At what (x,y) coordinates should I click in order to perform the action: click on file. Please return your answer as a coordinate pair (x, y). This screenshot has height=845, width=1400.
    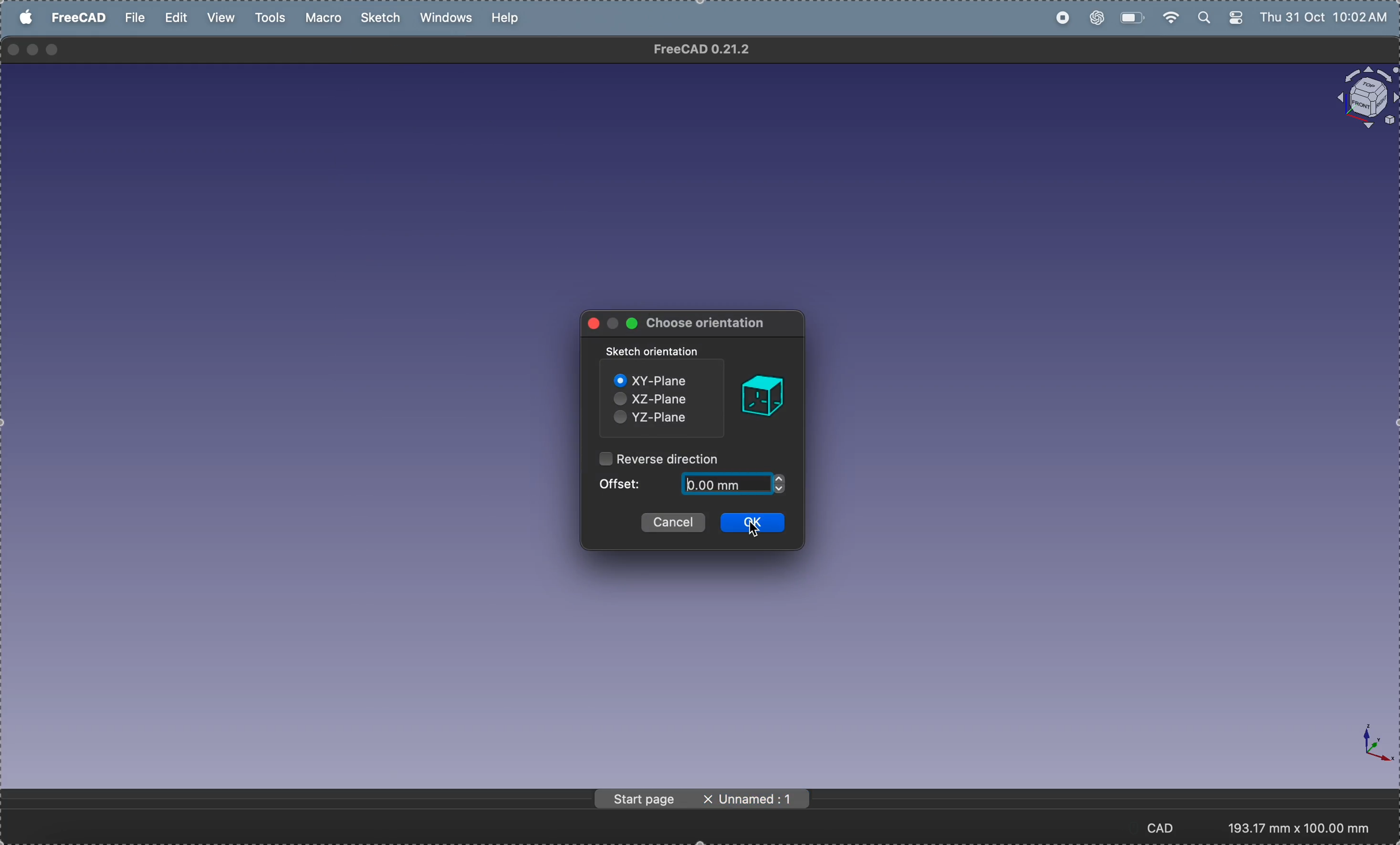
    Looking at the image, I should click on (135, 18).